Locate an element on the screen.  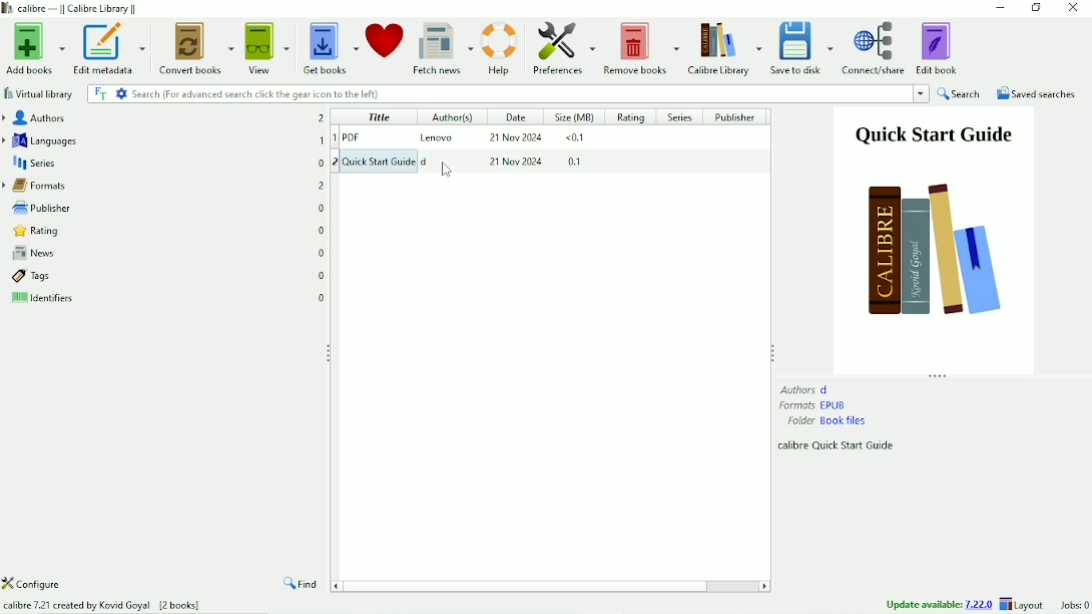
calibre Quick Start Guide is located at coordinates (838, 446).